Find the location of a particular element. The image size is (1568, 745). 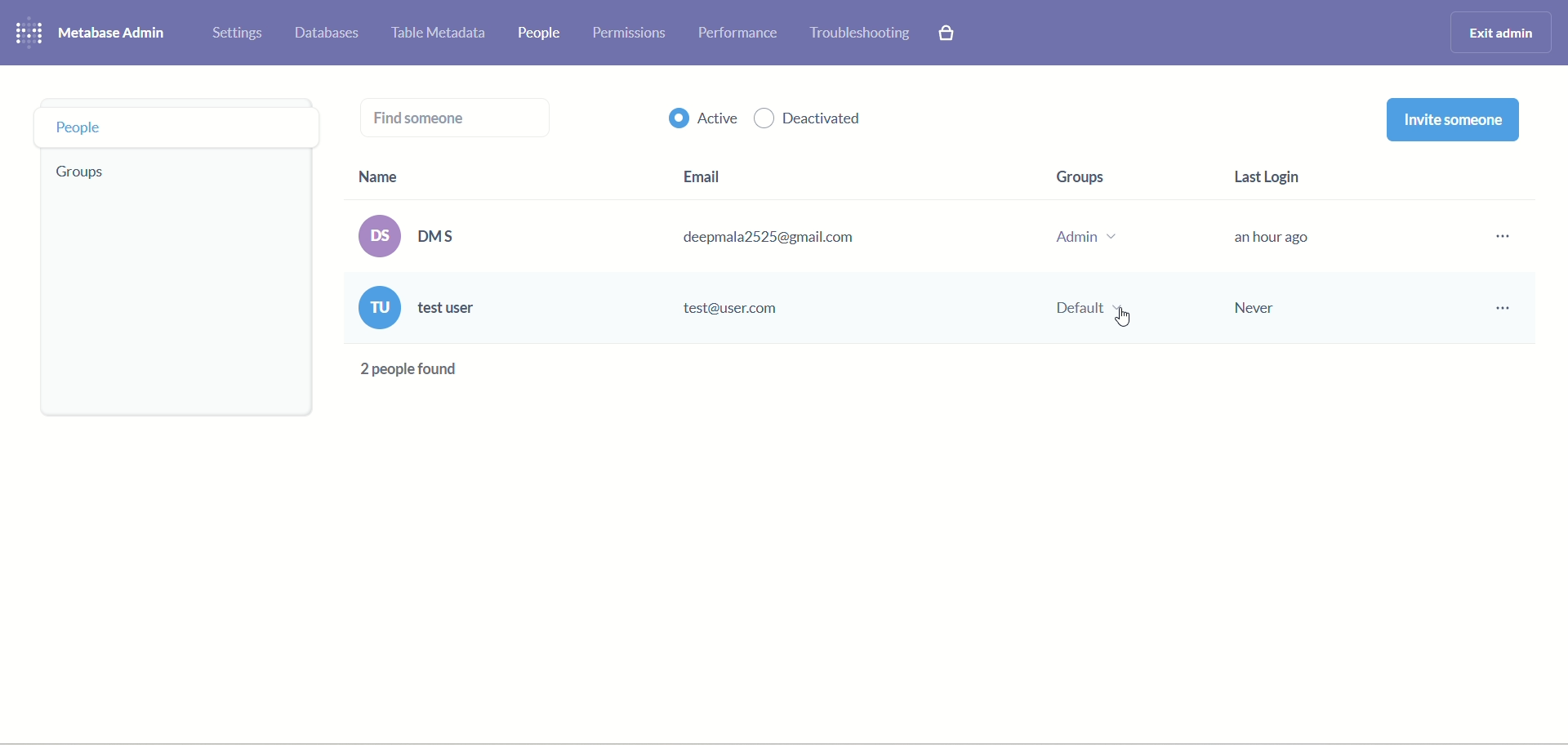

email is located at coordinates (764, 254).